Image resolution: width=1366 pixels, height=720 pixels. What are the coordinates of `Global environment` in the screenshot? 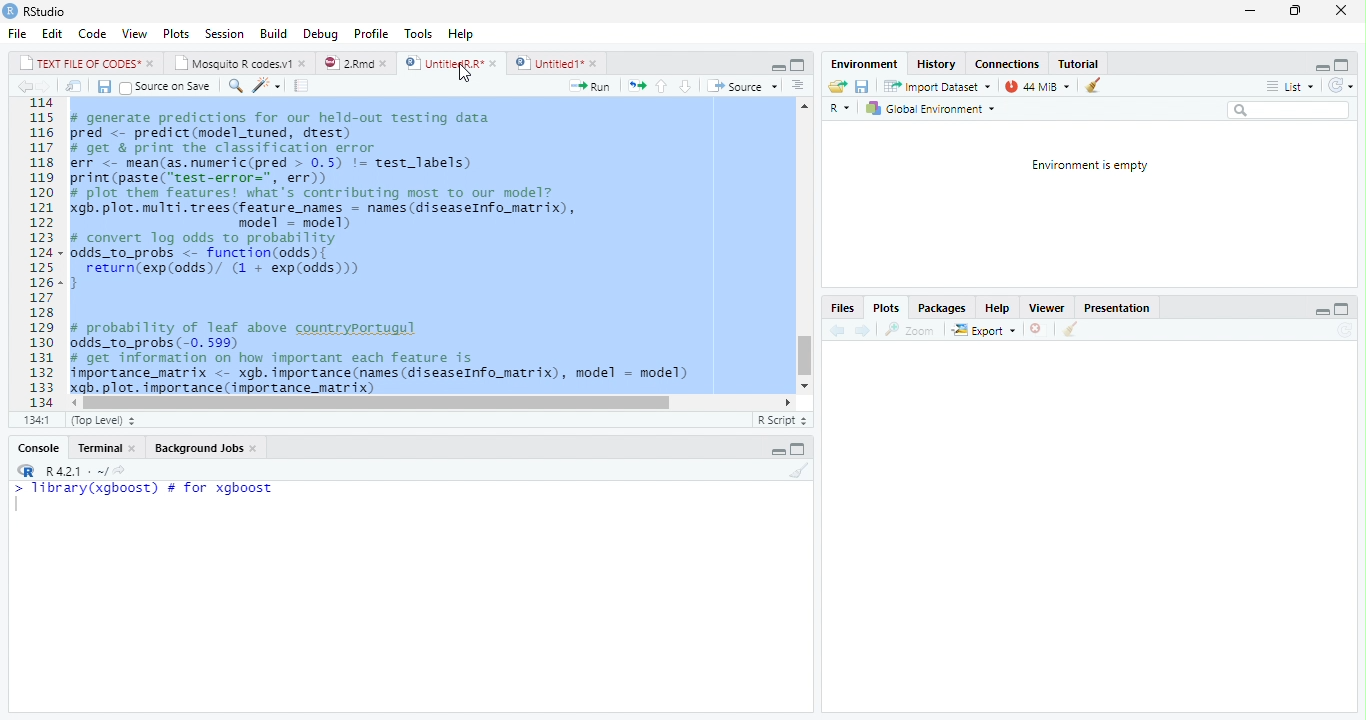 It's located at (930, 109).